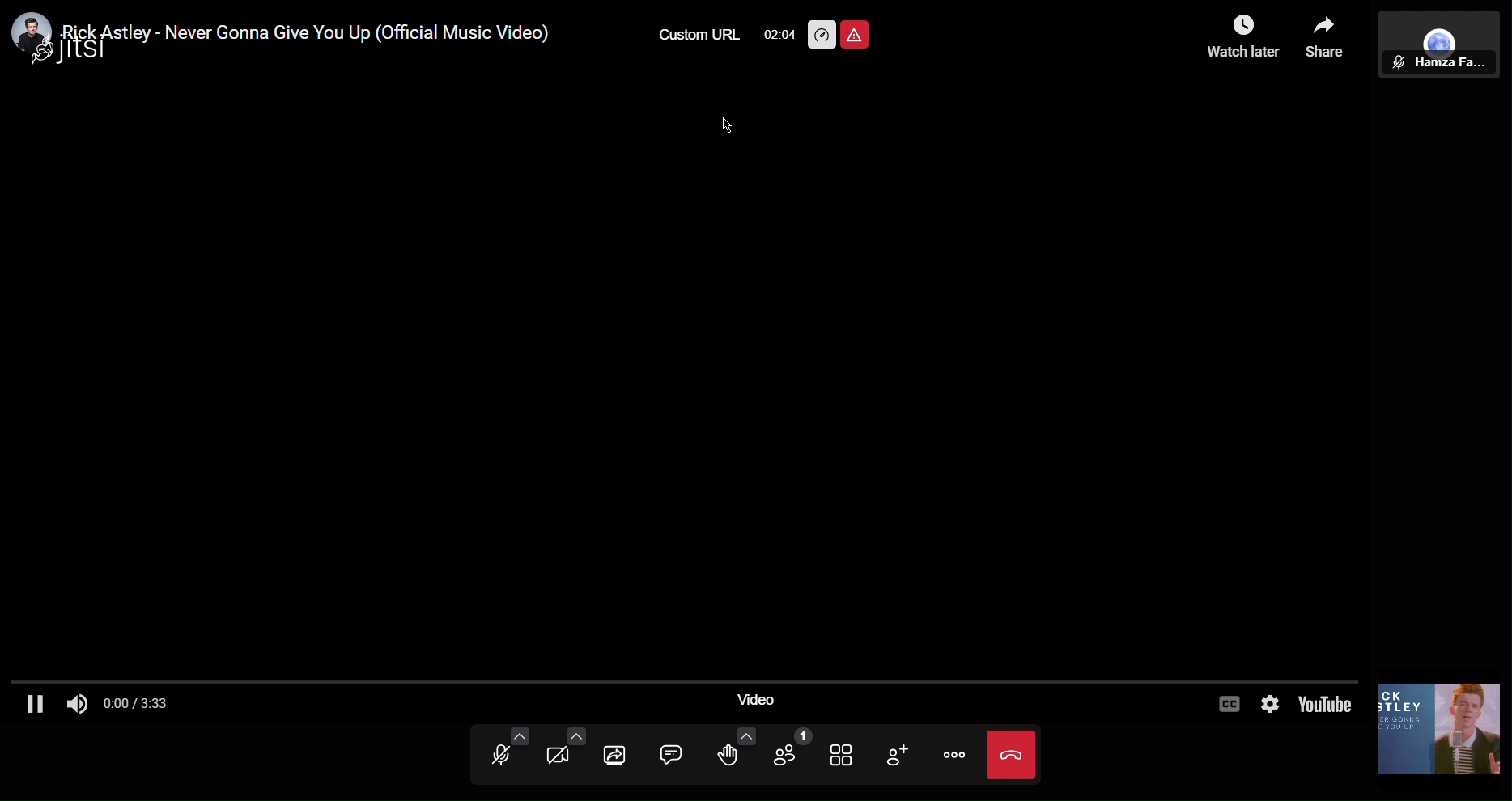 Image resolution: width=1512 pixels, height=801 pixels. Describe the element at coordinates (562, 754) in the screenshot. I see `Video` at that location.